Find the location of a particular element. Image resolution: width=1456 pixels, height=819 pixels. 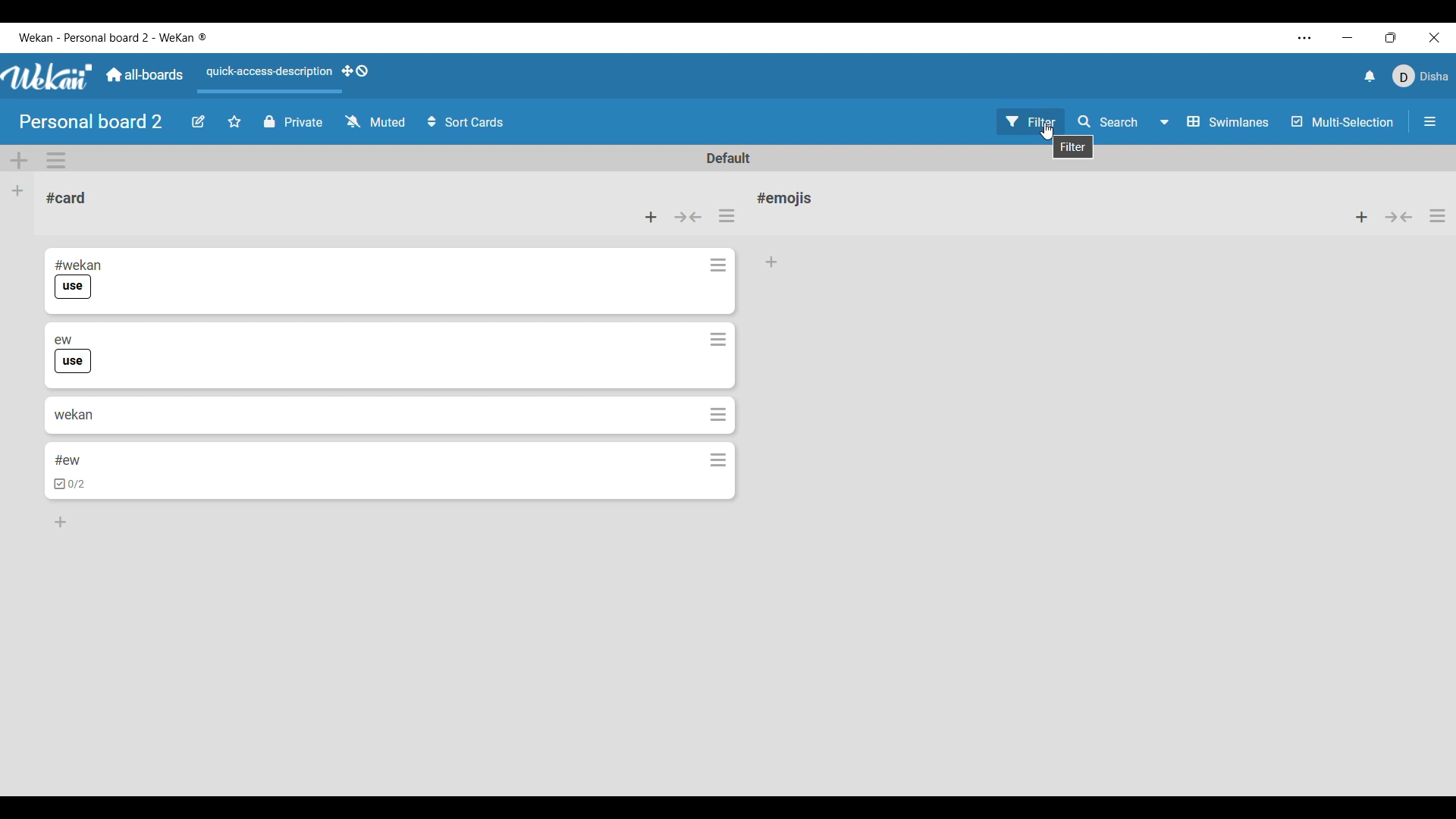

List actions is located at coordinates (726, 215).